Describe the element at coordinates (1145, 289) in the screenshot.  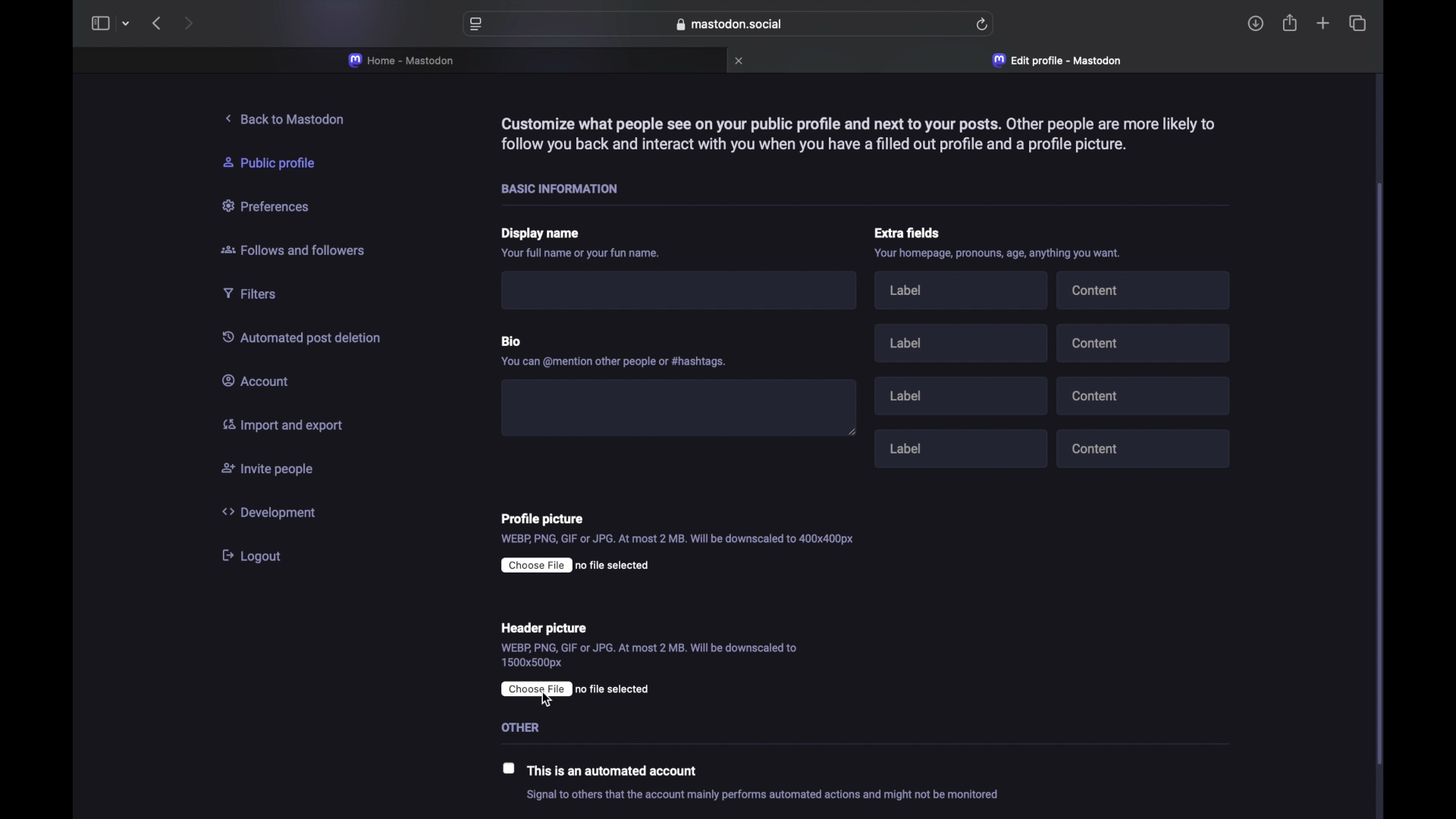
I see `content` at that location.